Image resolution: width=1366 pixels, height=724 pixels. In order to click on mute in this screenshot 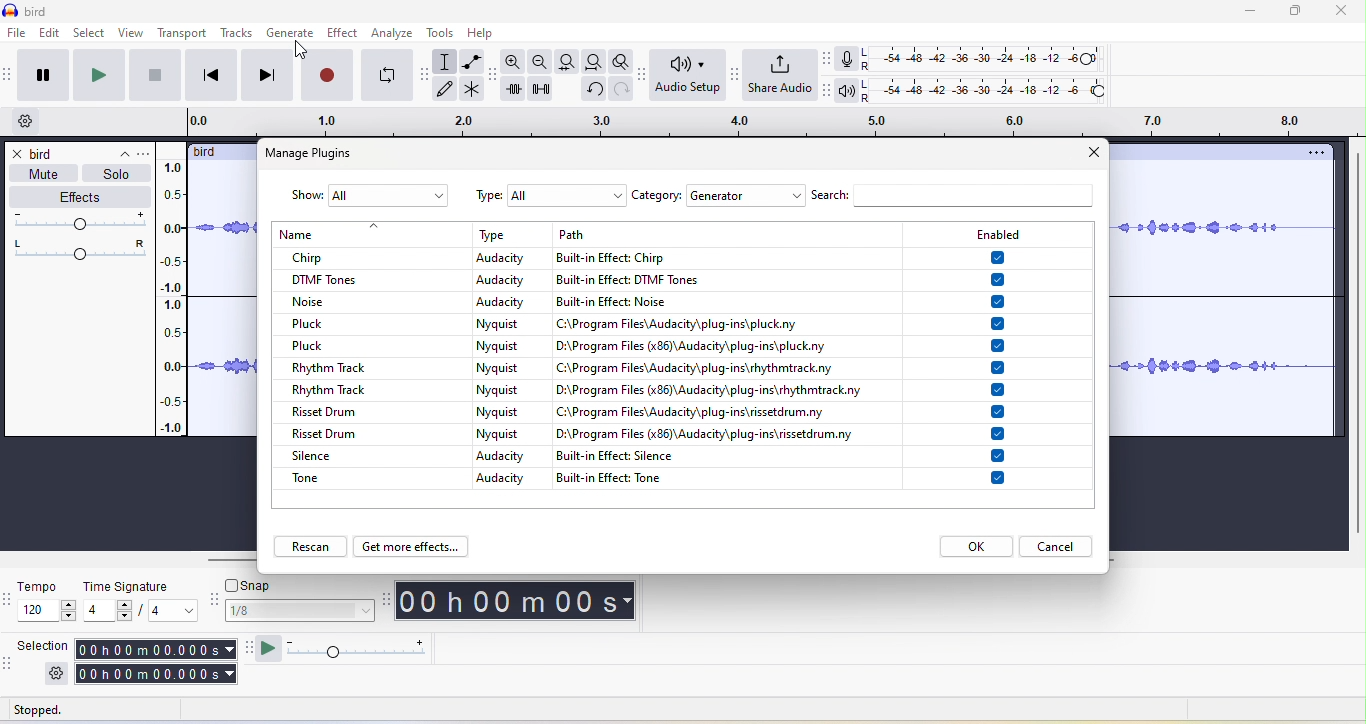, I will do `click(50, 173)`.